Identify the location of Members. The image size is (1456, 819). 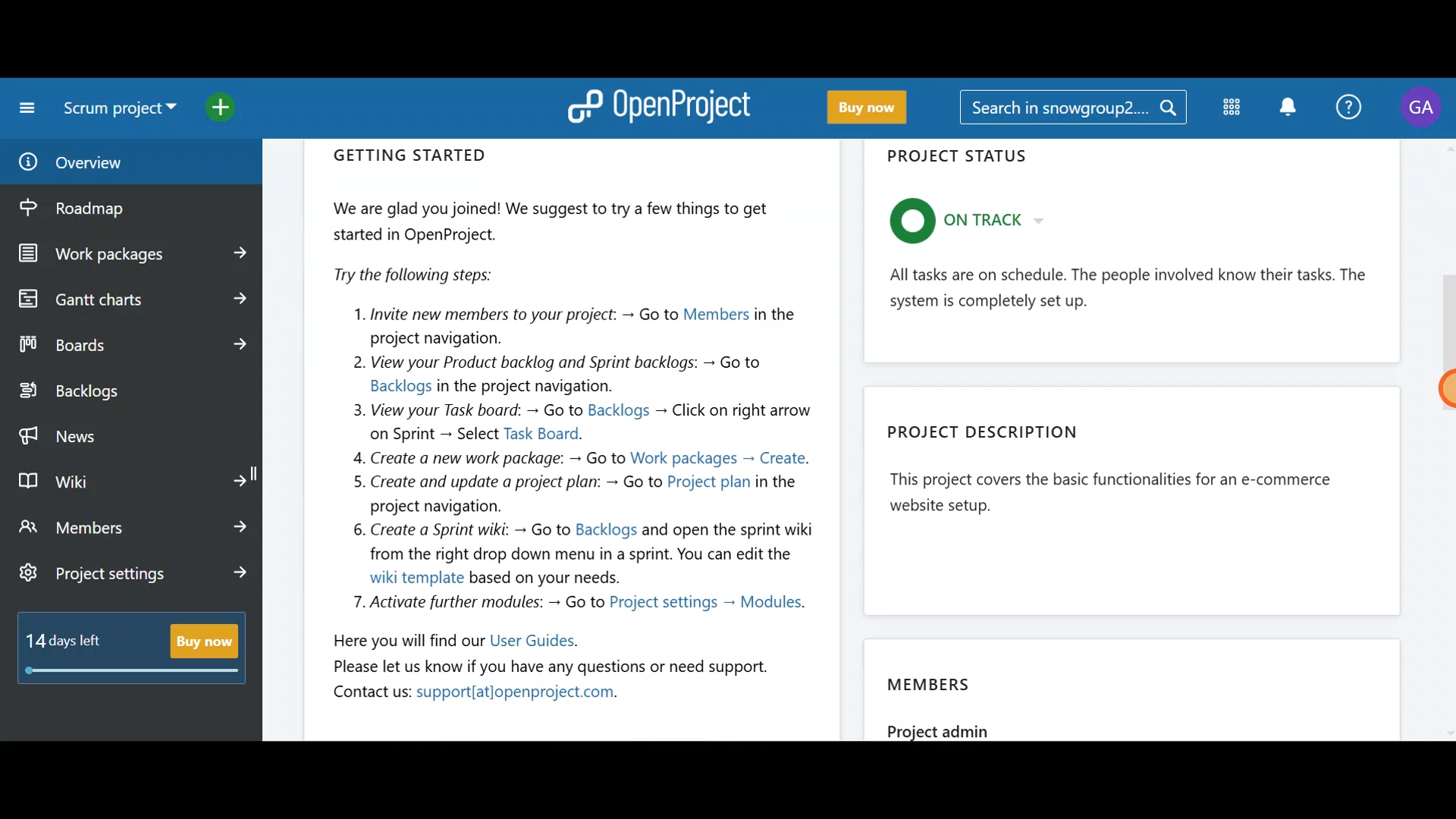
(135, 526).